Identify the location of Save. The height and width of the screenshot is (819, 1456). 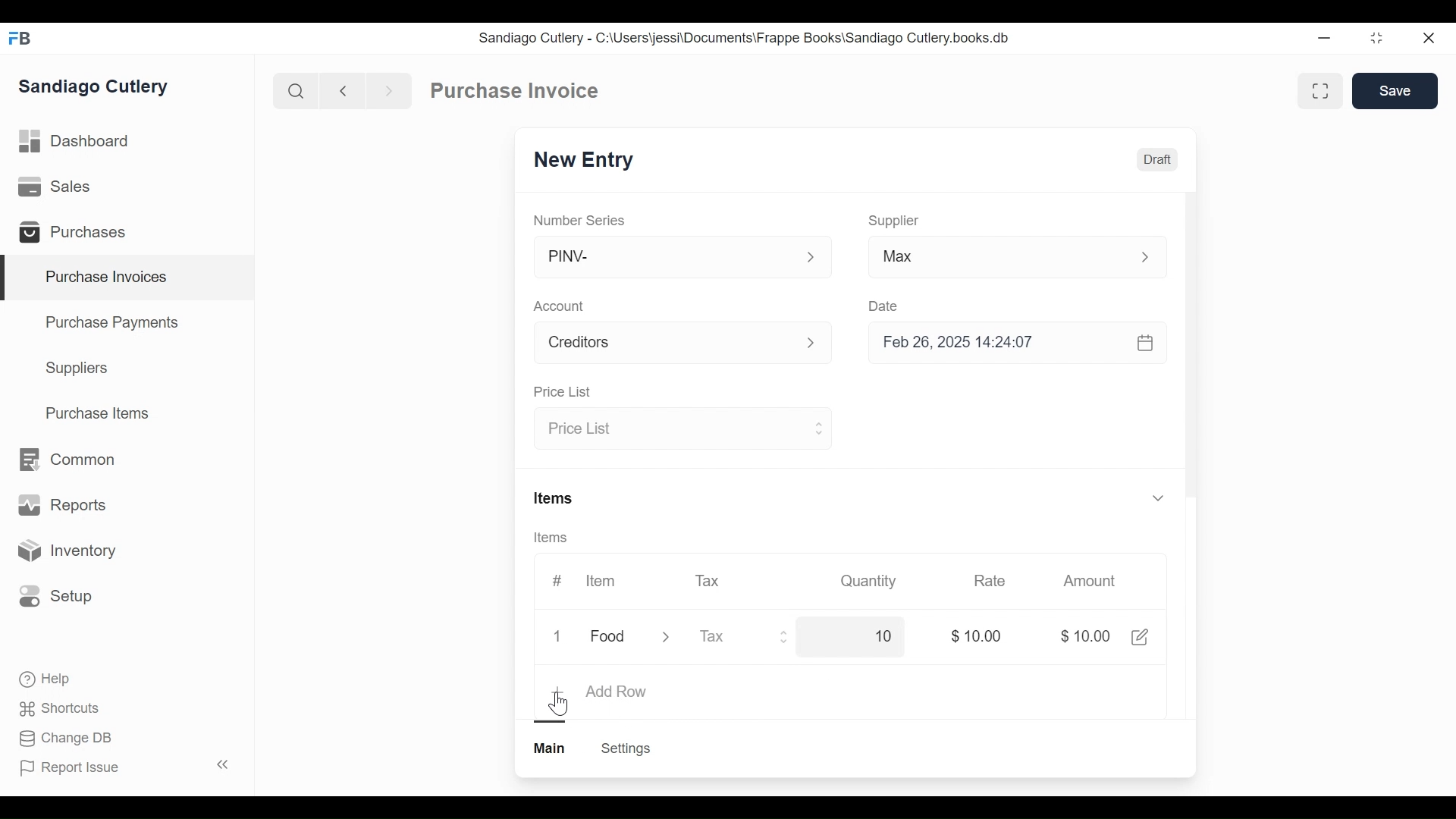
(1397, 91).